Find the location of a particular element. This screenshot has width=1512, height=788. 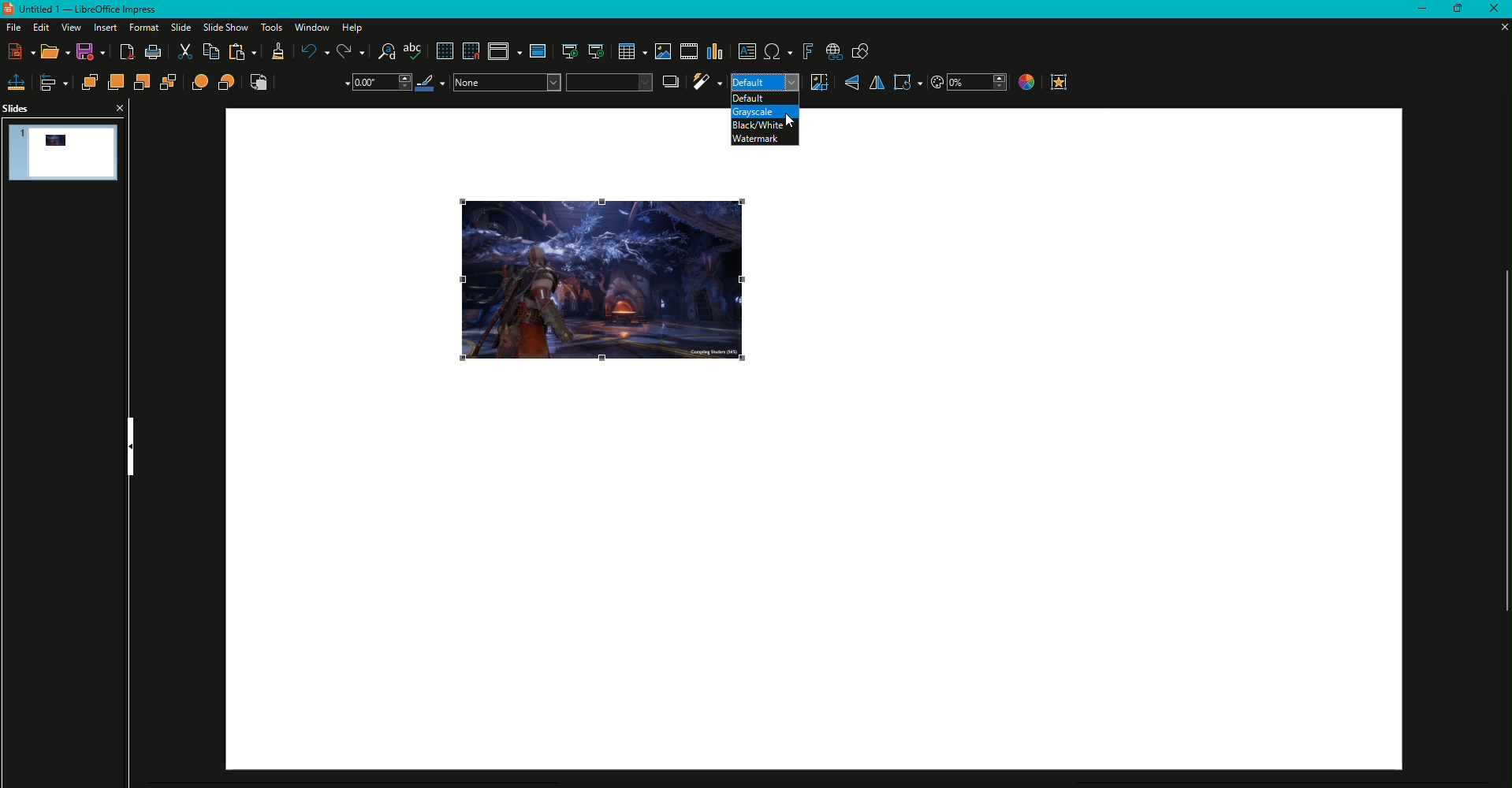

Slide Show is located at coordinates (224, 27).